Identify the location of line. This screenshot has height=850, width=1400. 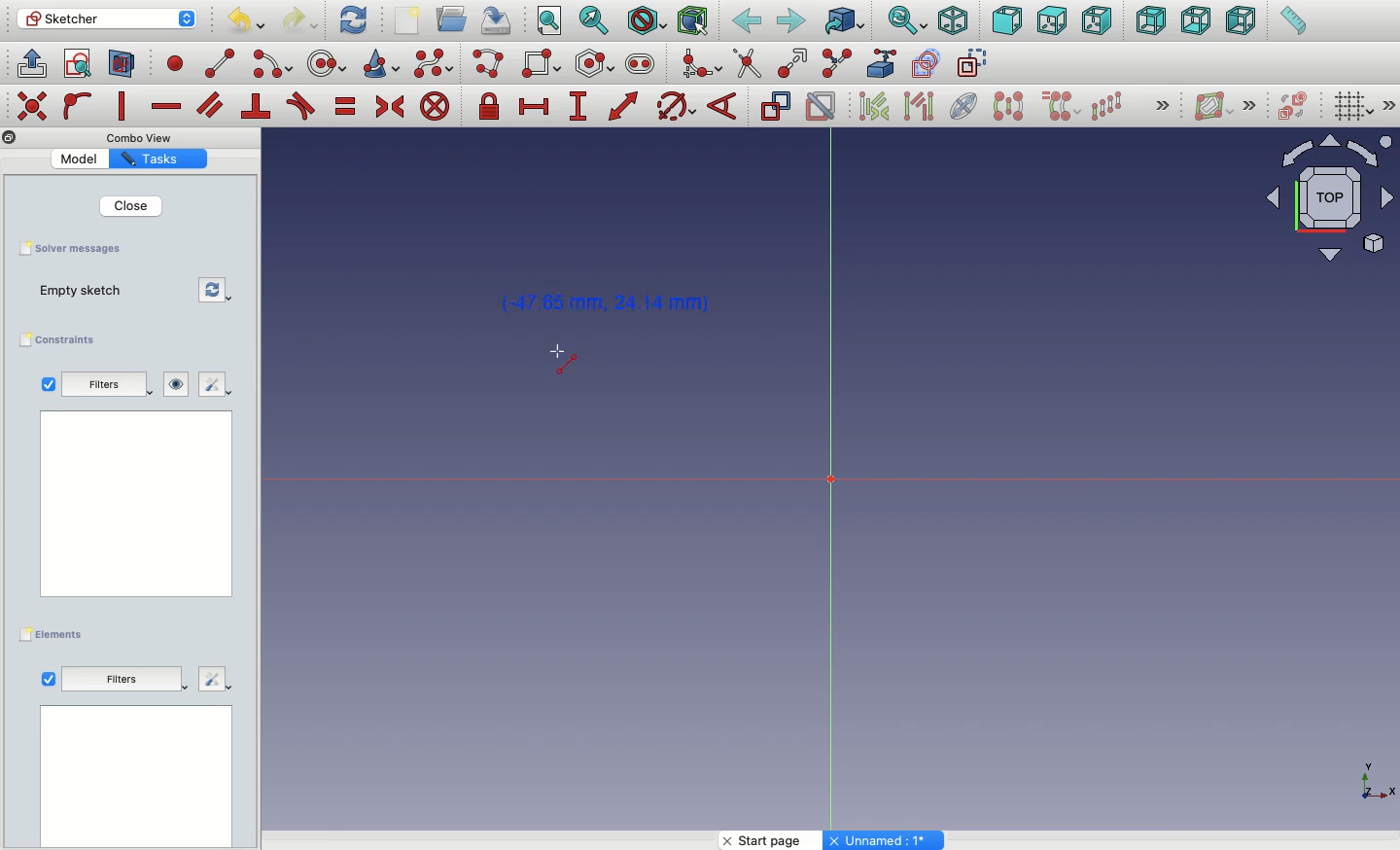
(221, 64).